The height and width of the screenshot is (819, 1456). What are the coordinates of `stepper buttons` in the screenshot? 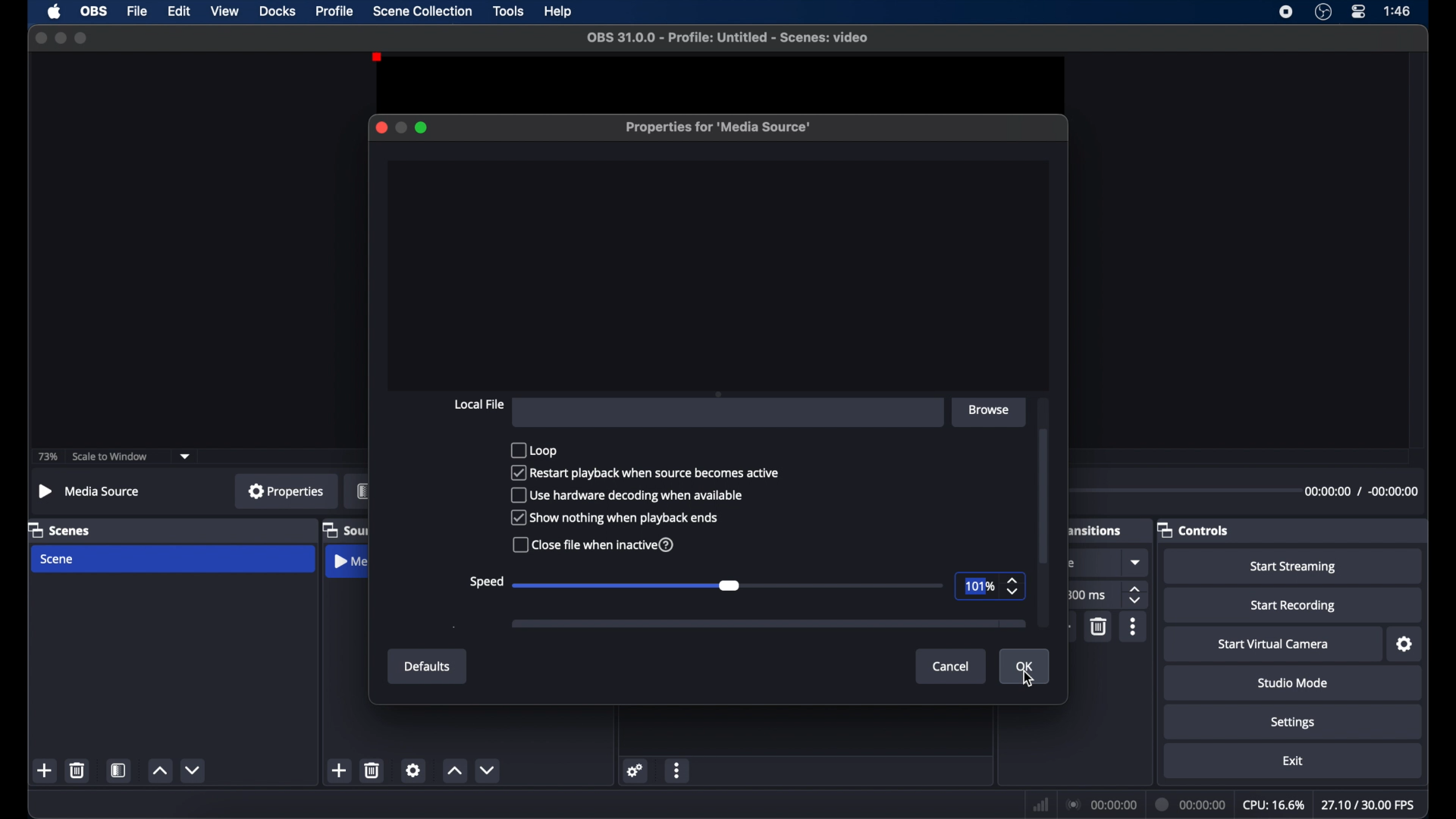 It's located at (1013, 588).